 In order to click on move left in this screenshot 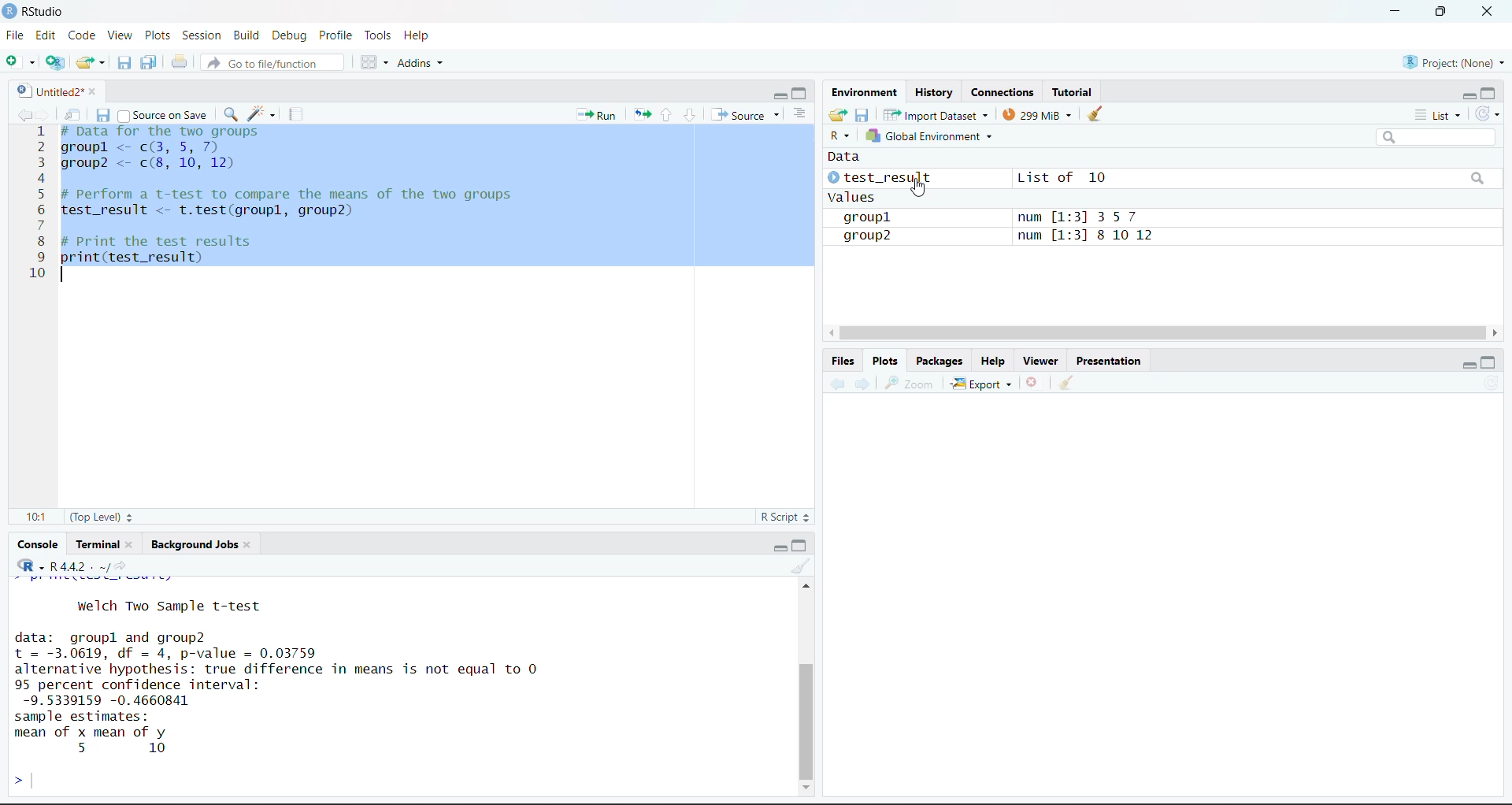, I will do `click(831, 332)`.